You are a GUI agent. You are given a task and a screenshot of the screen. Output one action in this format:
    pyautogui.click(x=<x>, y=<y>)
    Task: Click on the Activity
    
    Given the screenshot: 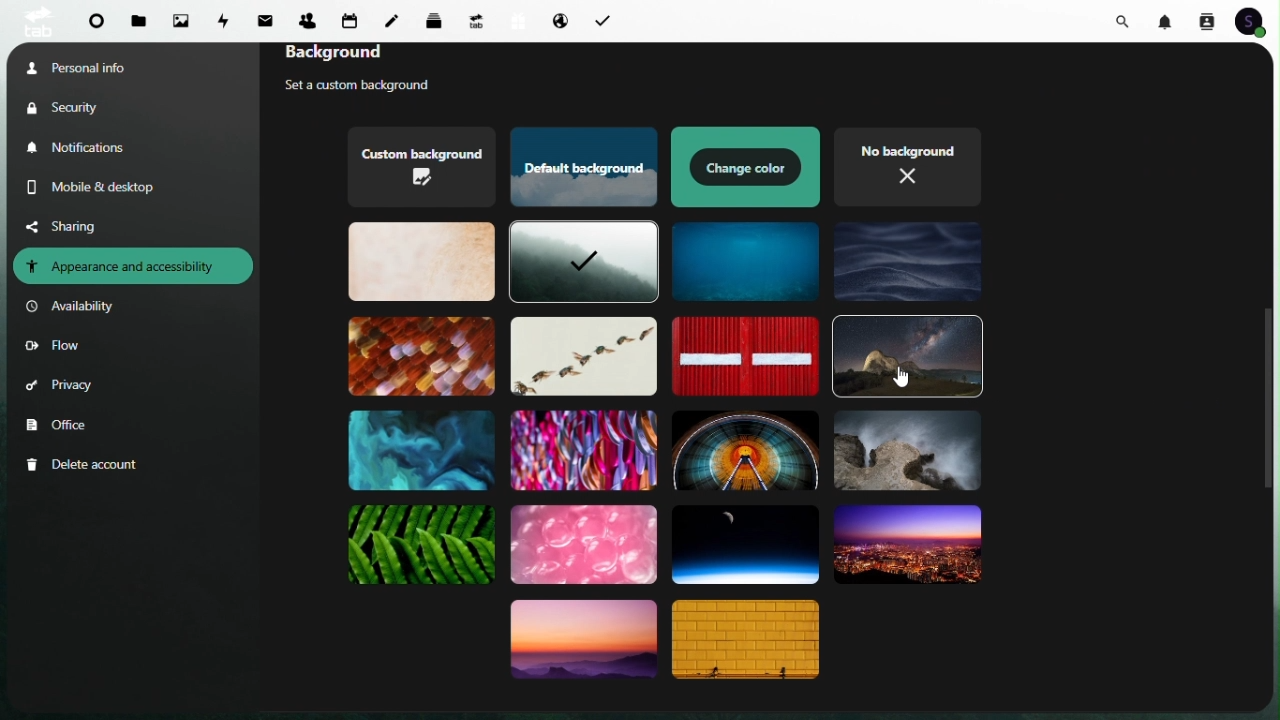 What is the action you would take?
    pyautogui.click(x=226, y=19)
    